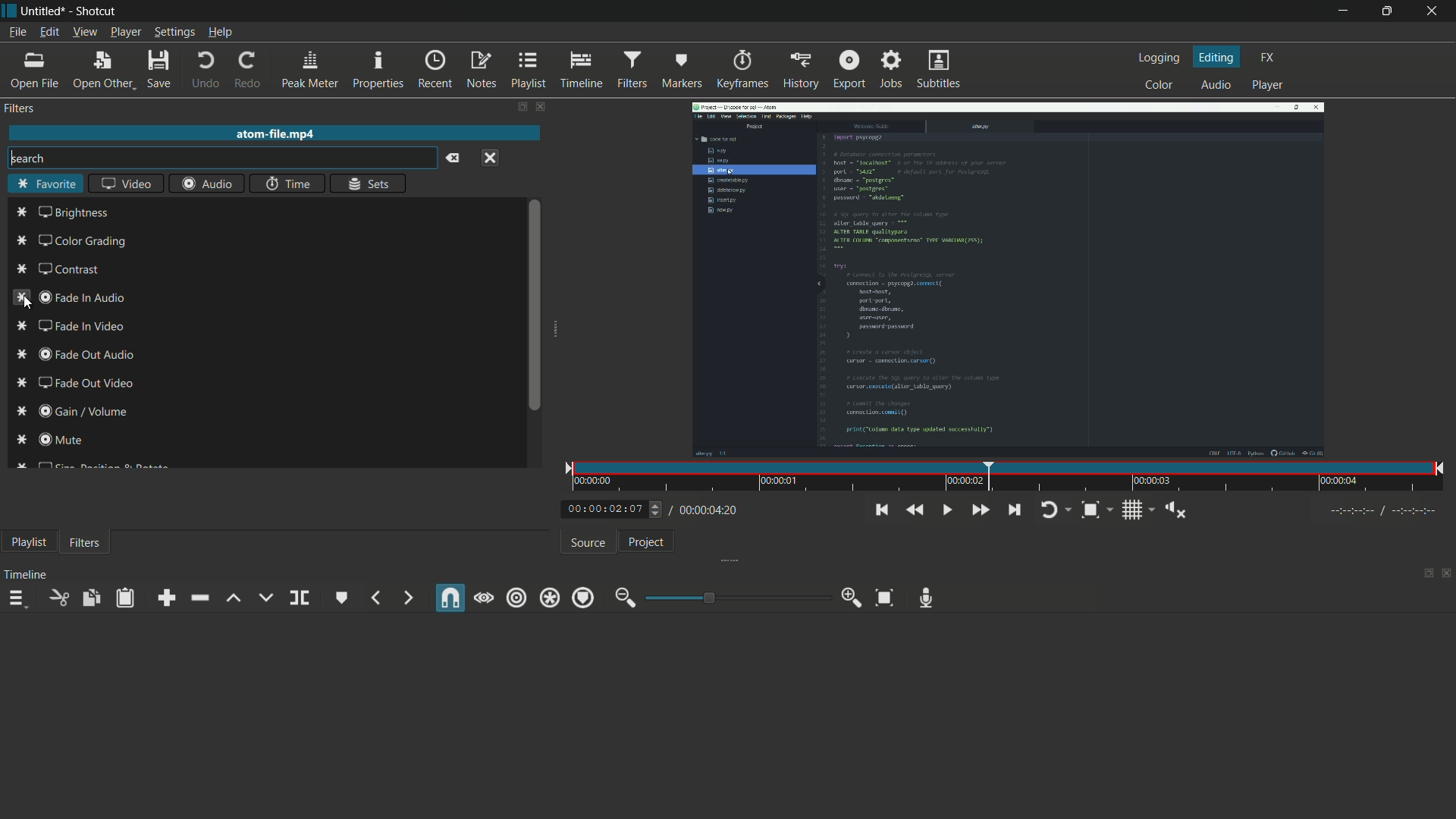 The height and width of the screenshot is (819, 1456). What do you see at coordinates (369, 183) in the screenshot?
I see `sets` at bounding box center [369, 183].